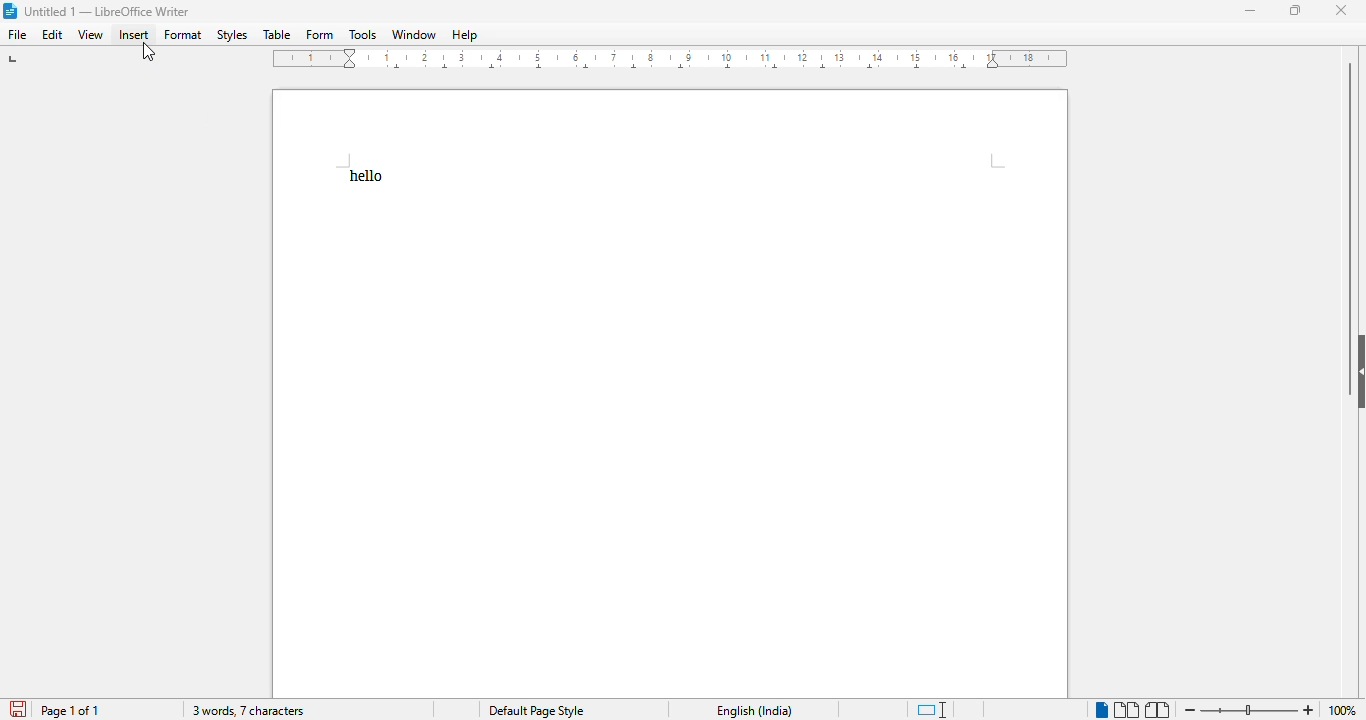  I want to click on styles, so click(233, 35).